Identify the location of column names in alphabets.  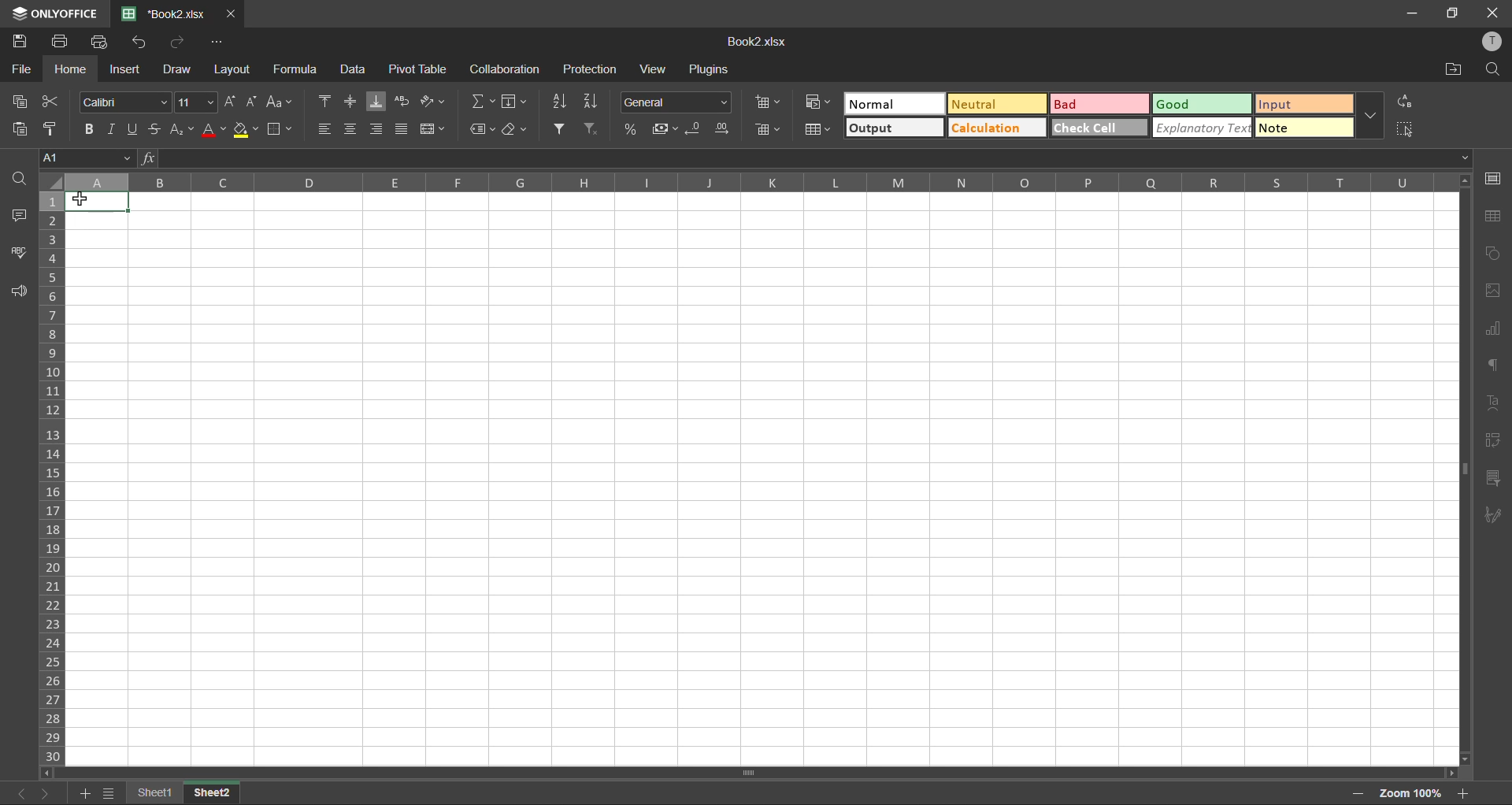
(744, 181).